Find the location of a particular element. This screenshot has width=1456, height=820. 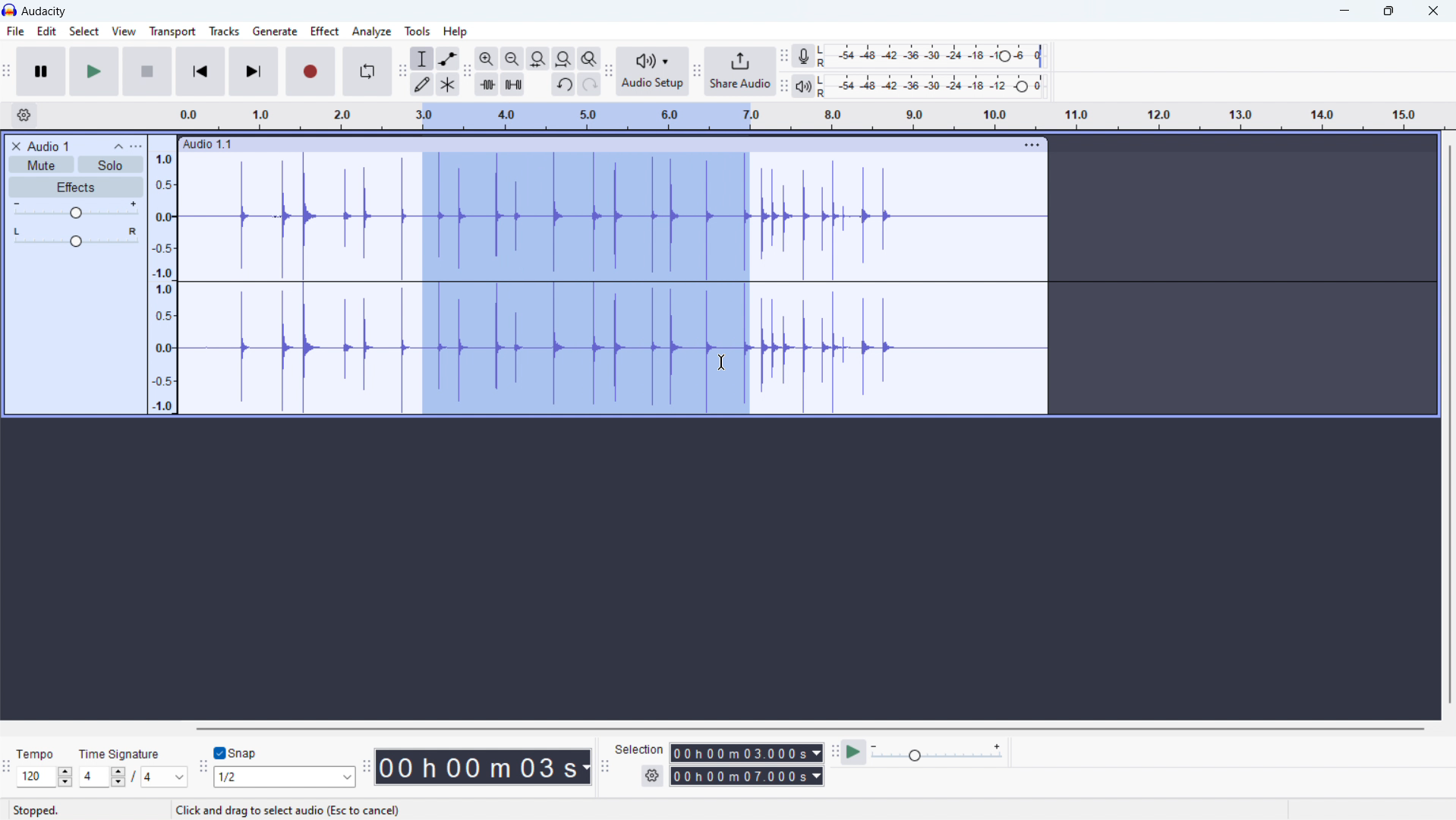

playback level is located at coordinates (938, 86).